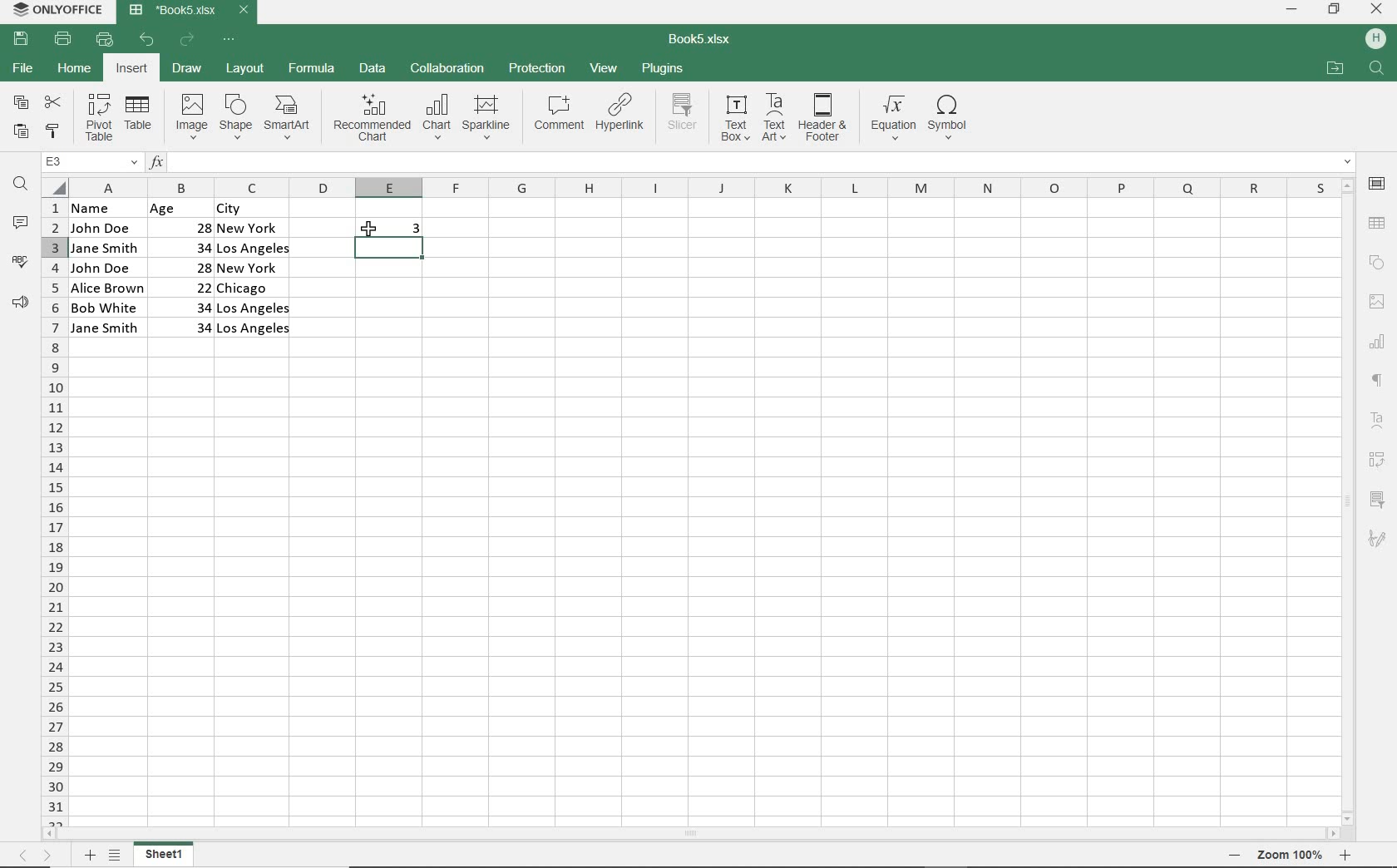 The height and width of the screenshot is (868, 1397). Describe the element at coordinates (1380, 184) in the screenshot. I see `CELL SETTINGS` at that location.